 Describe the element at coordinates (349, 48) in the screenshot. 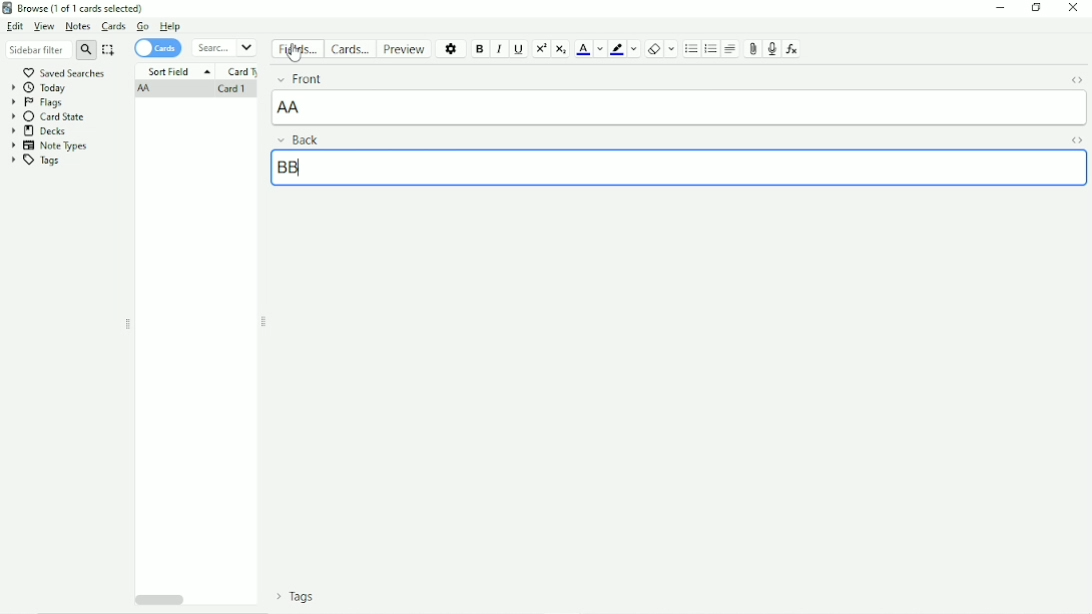

I see `Cards` at that location.